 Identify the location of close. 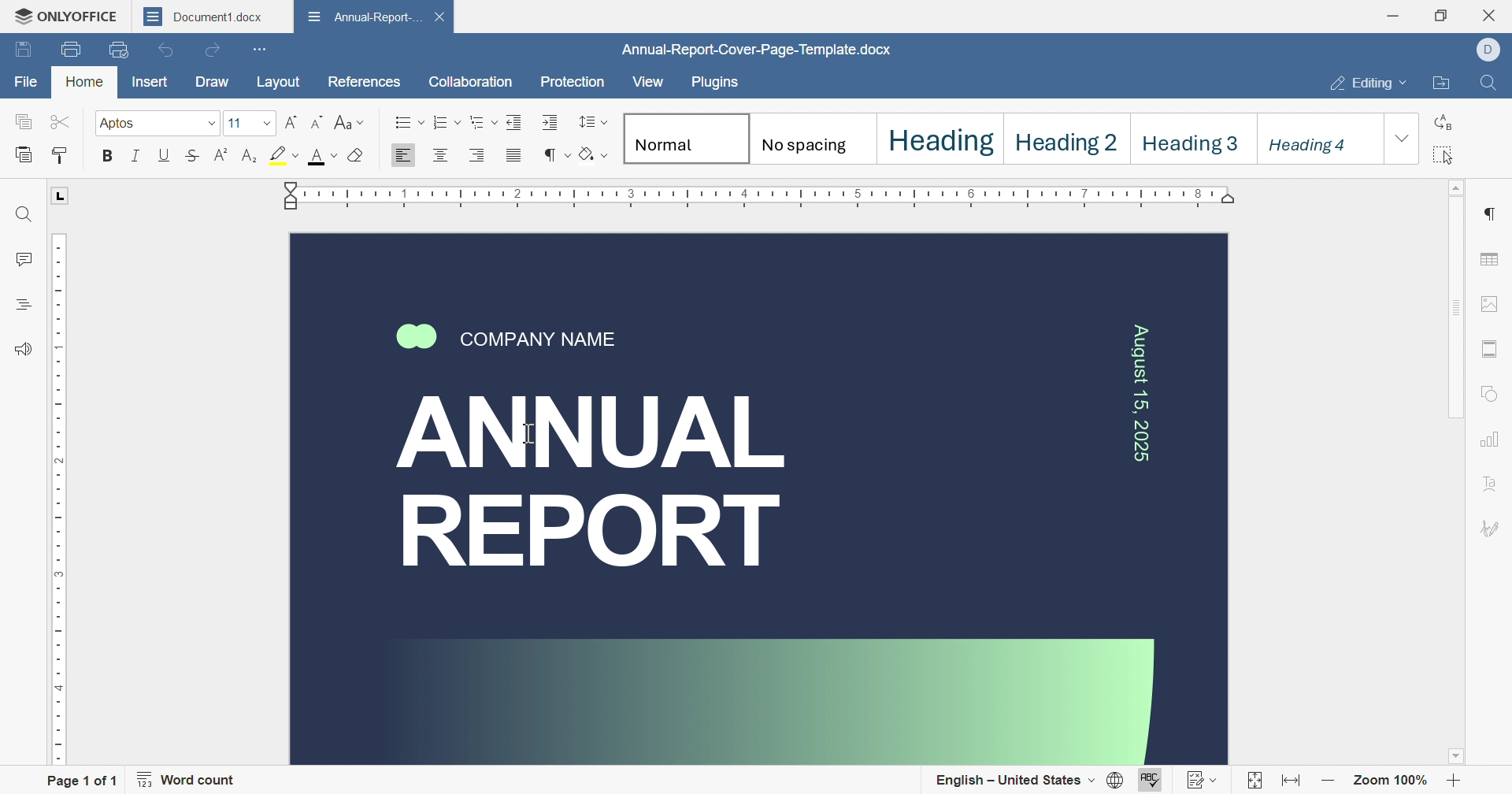
(440, 15).